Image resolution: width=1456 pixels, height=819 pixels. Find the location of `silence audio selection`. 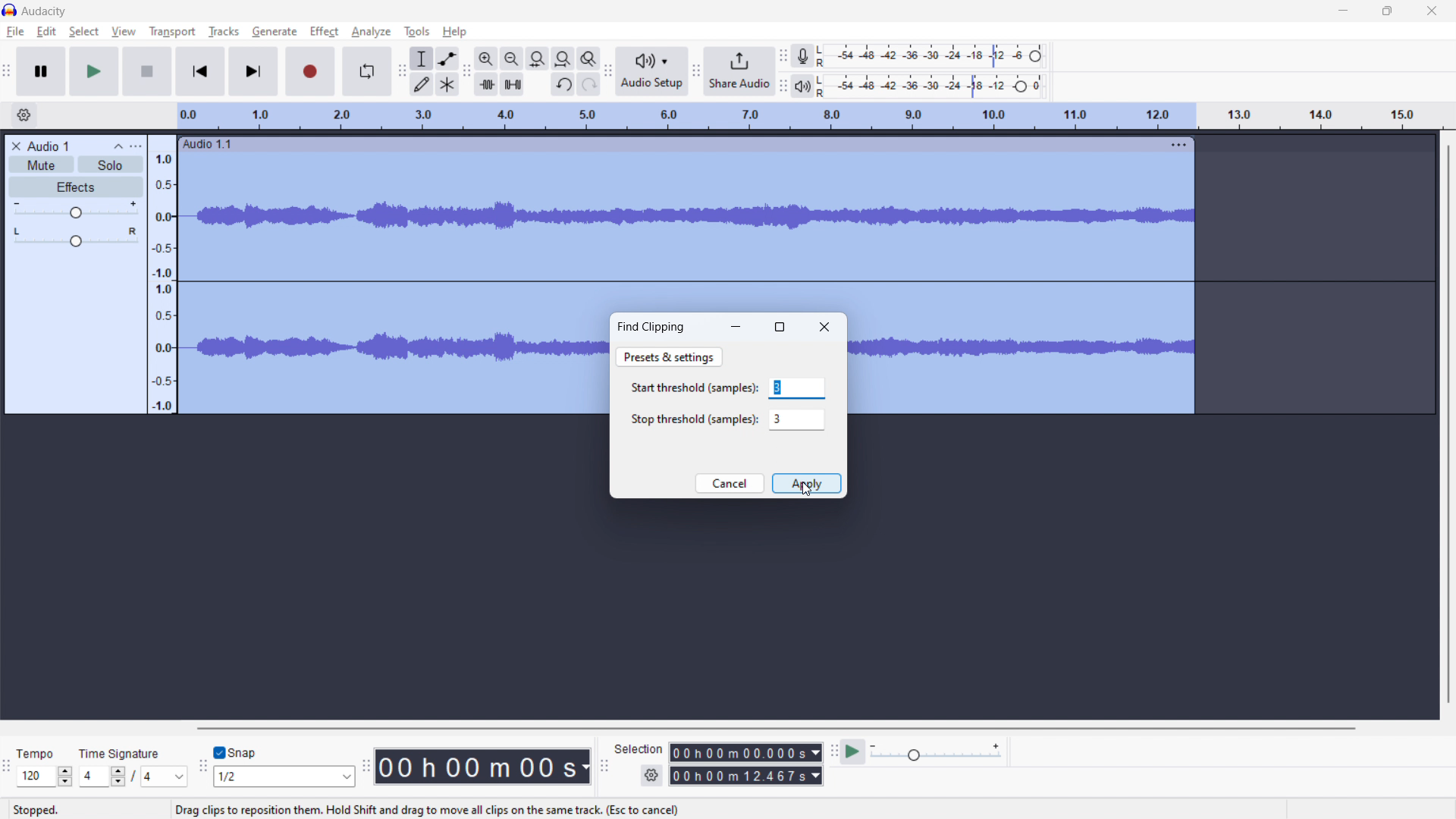

silence audio selection is located at coordinates (513, 83).